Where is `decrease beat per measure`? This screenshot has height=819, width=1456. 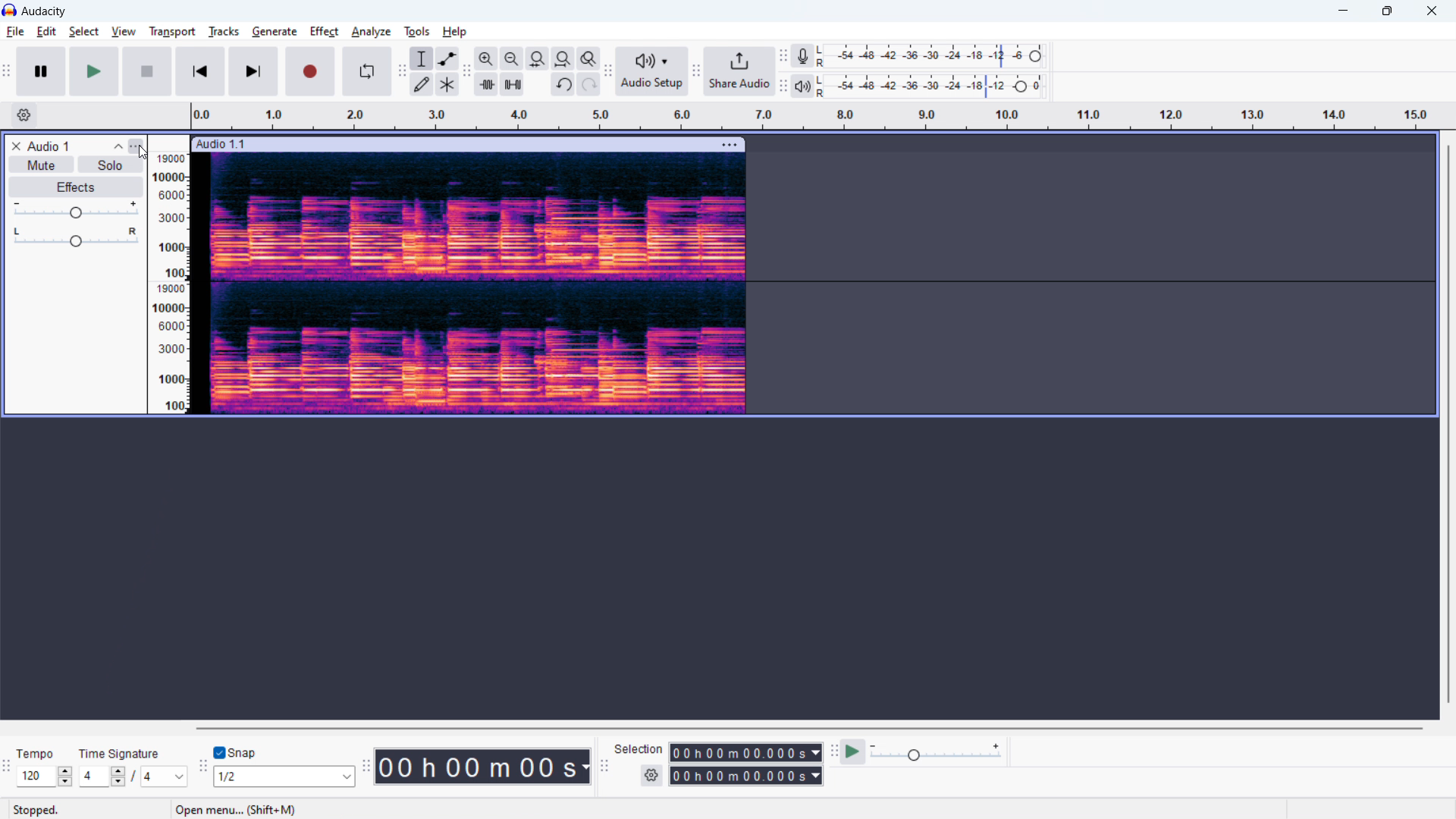
decrease beat per measure is located at coordinates (118, 783).